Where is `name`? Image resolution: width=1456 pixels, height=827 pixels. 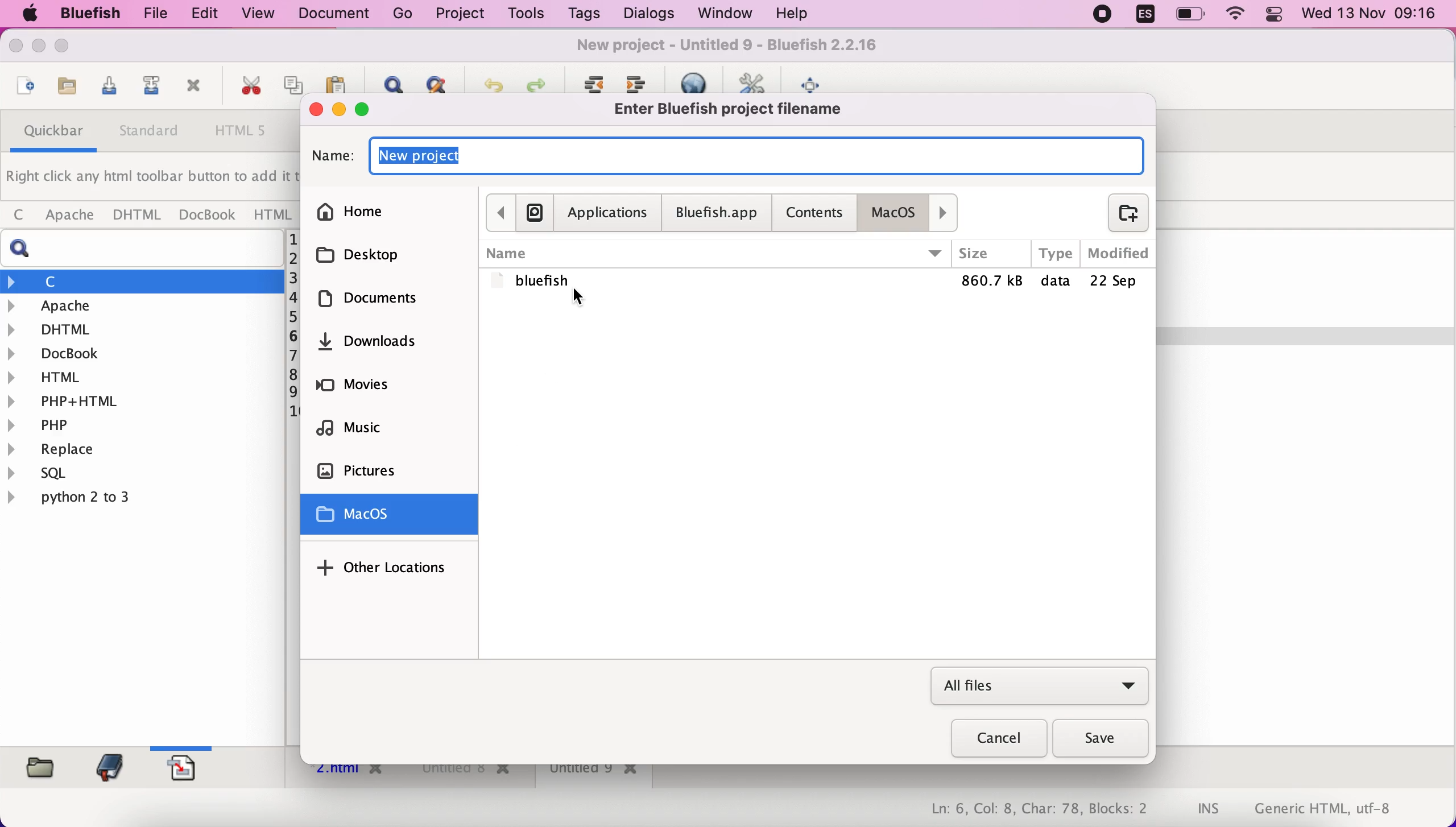
name is located at coordinates (756, 154).